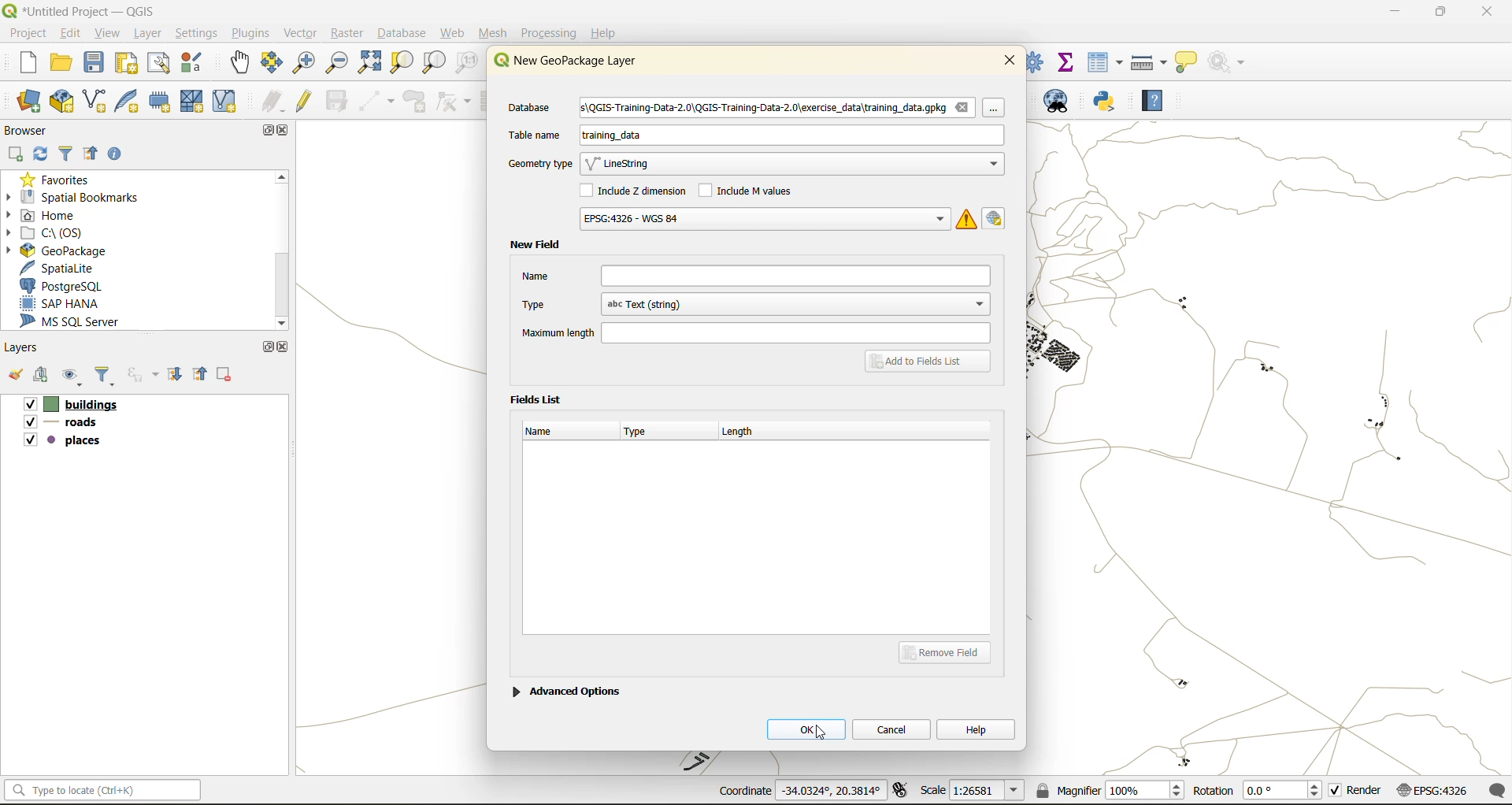 Image resolution: width=1512 pixels, height=805 pixels. What do you see at coordinates (63, 443) in the screenshot?
I see `places` at bounding box center [63, 443].